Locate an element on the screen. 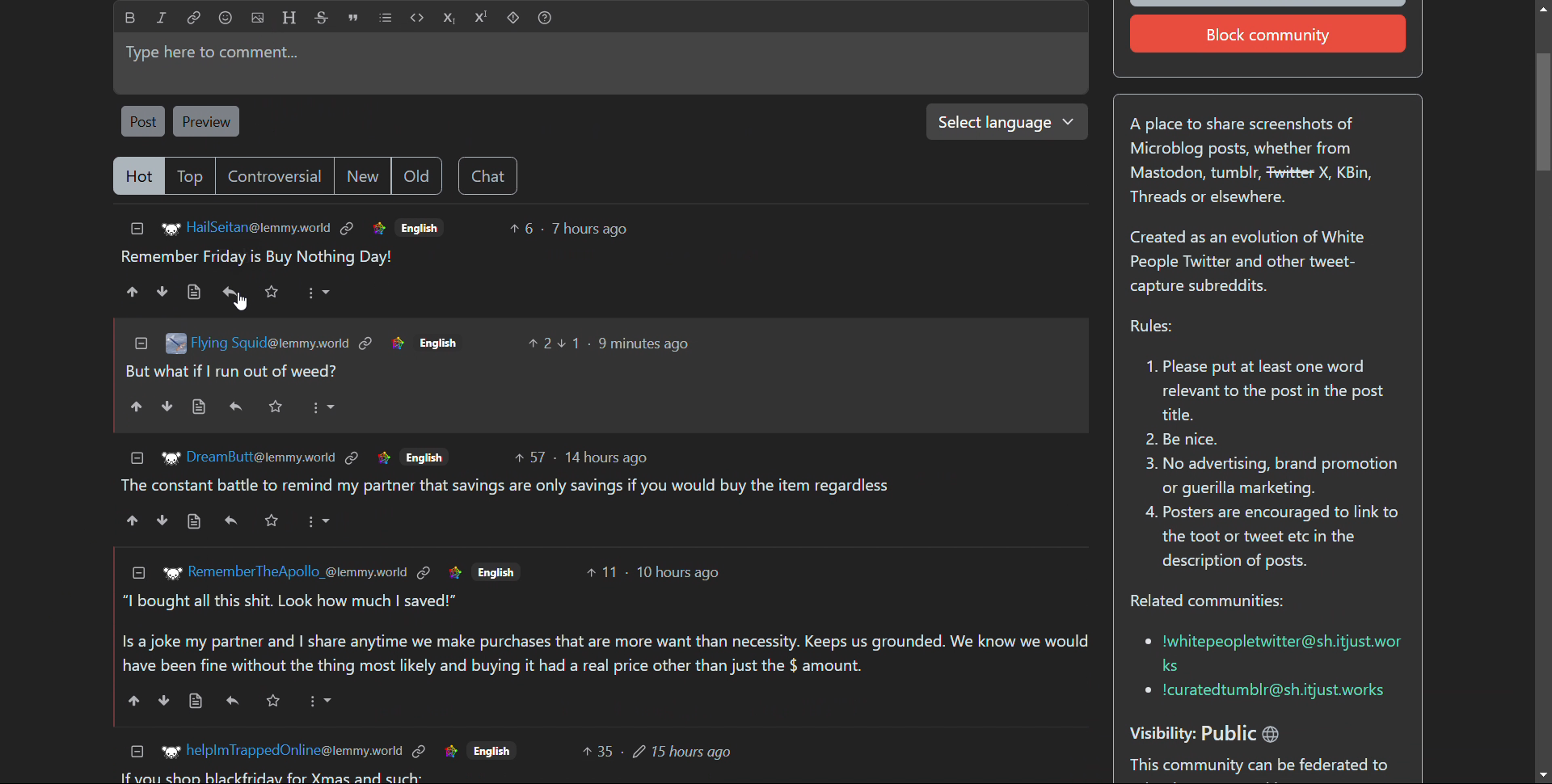 The height and width of the screenshot is (784, 1552). username is located at coordinates (272, 344).